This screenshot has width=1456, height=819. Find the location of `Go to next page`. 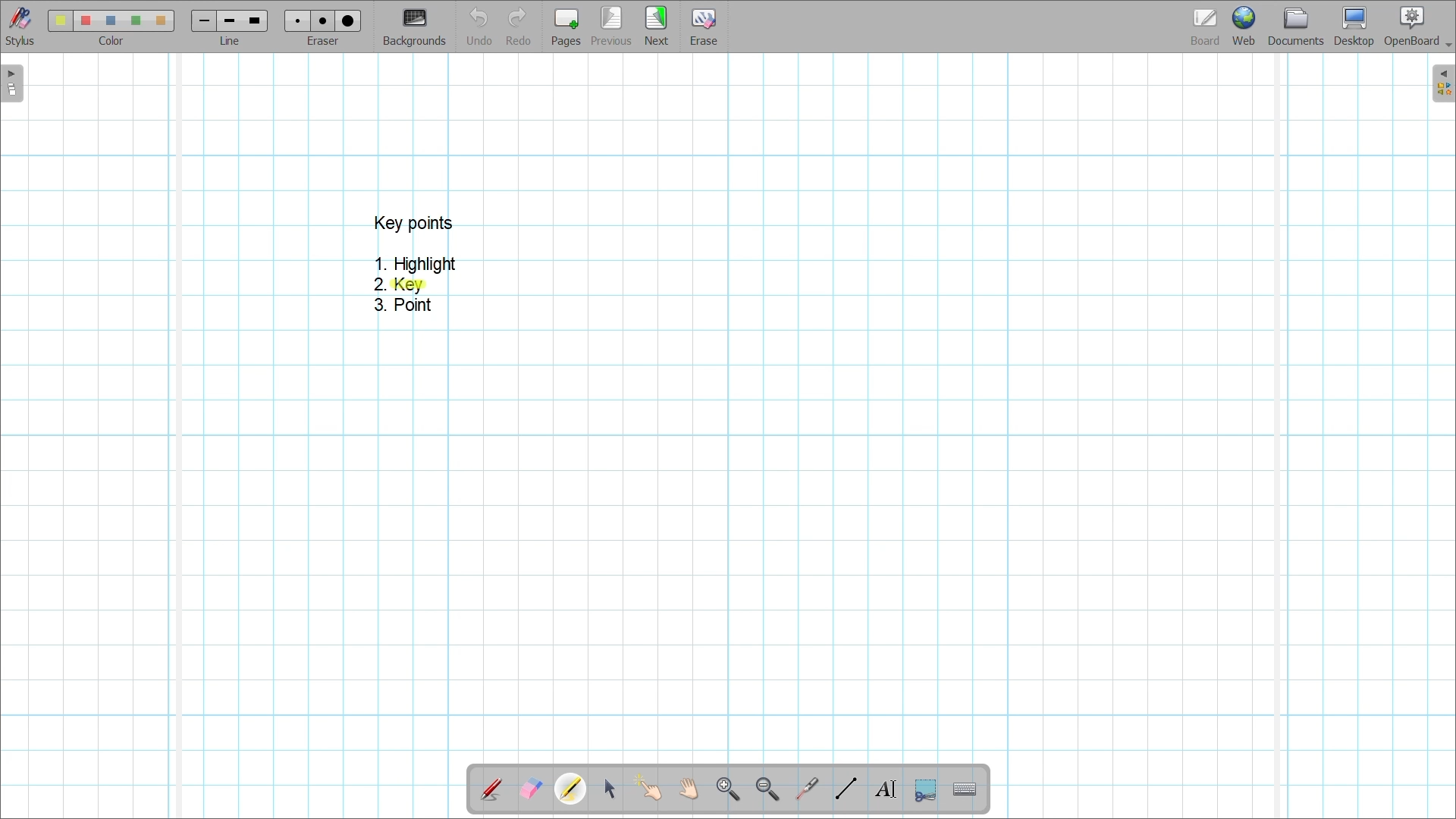

Go to next page is located at coordinates (656, 26).